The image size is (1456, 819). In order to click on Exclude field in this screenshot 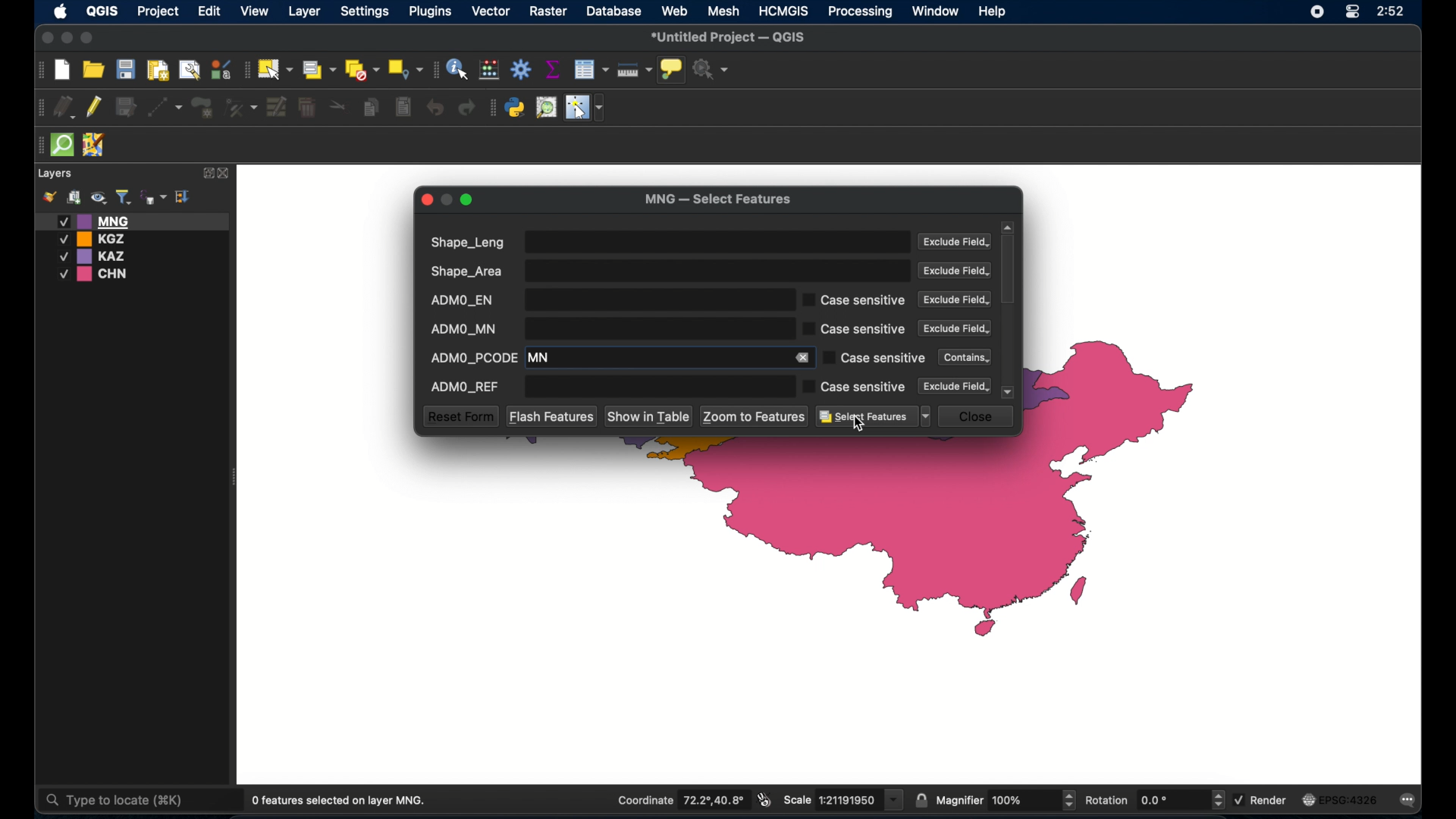, I will do `click(953, 300)`.